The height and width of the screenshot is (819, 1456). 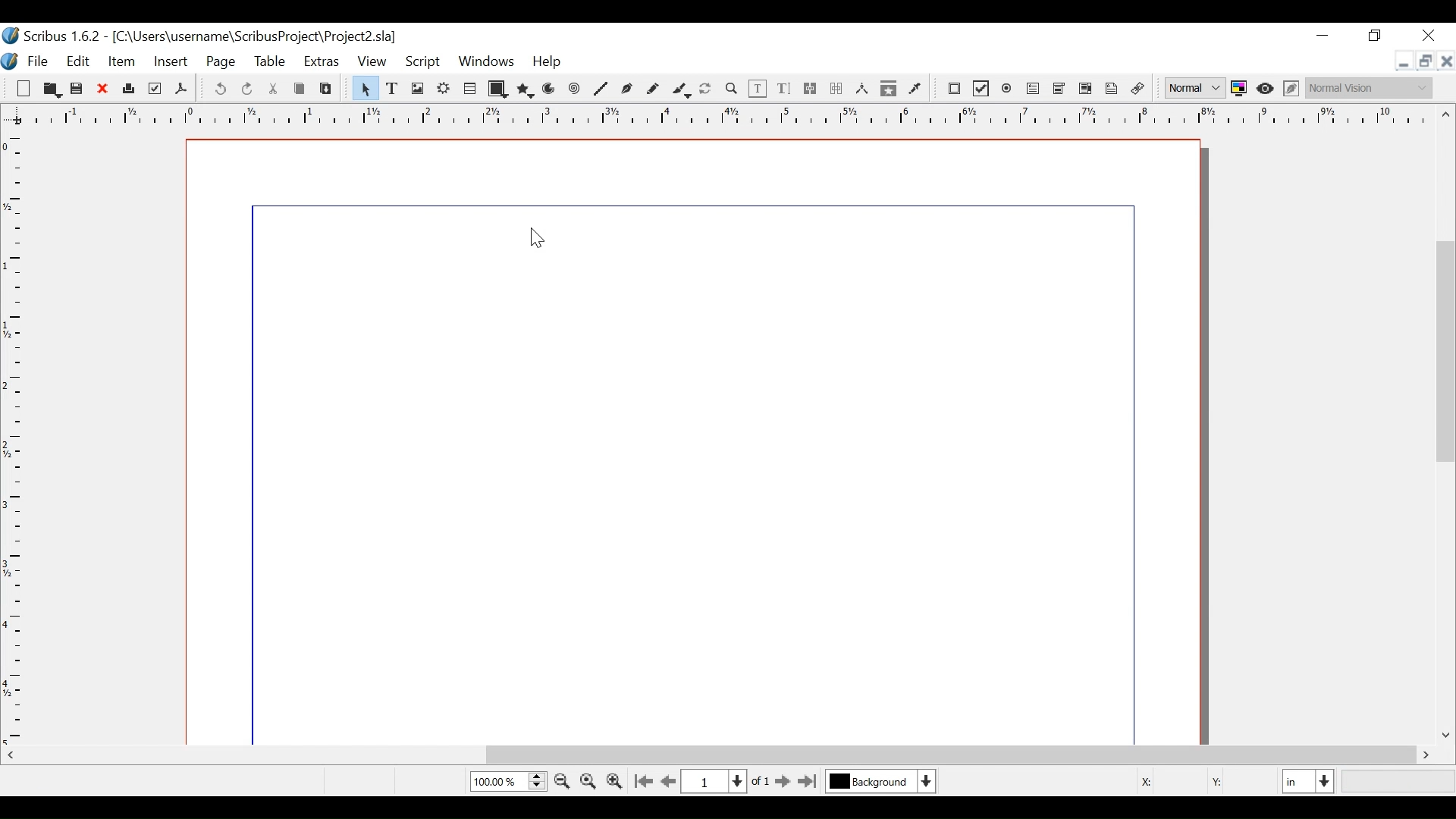 I want to click on Save as PDF, so click(x=180, y=91).